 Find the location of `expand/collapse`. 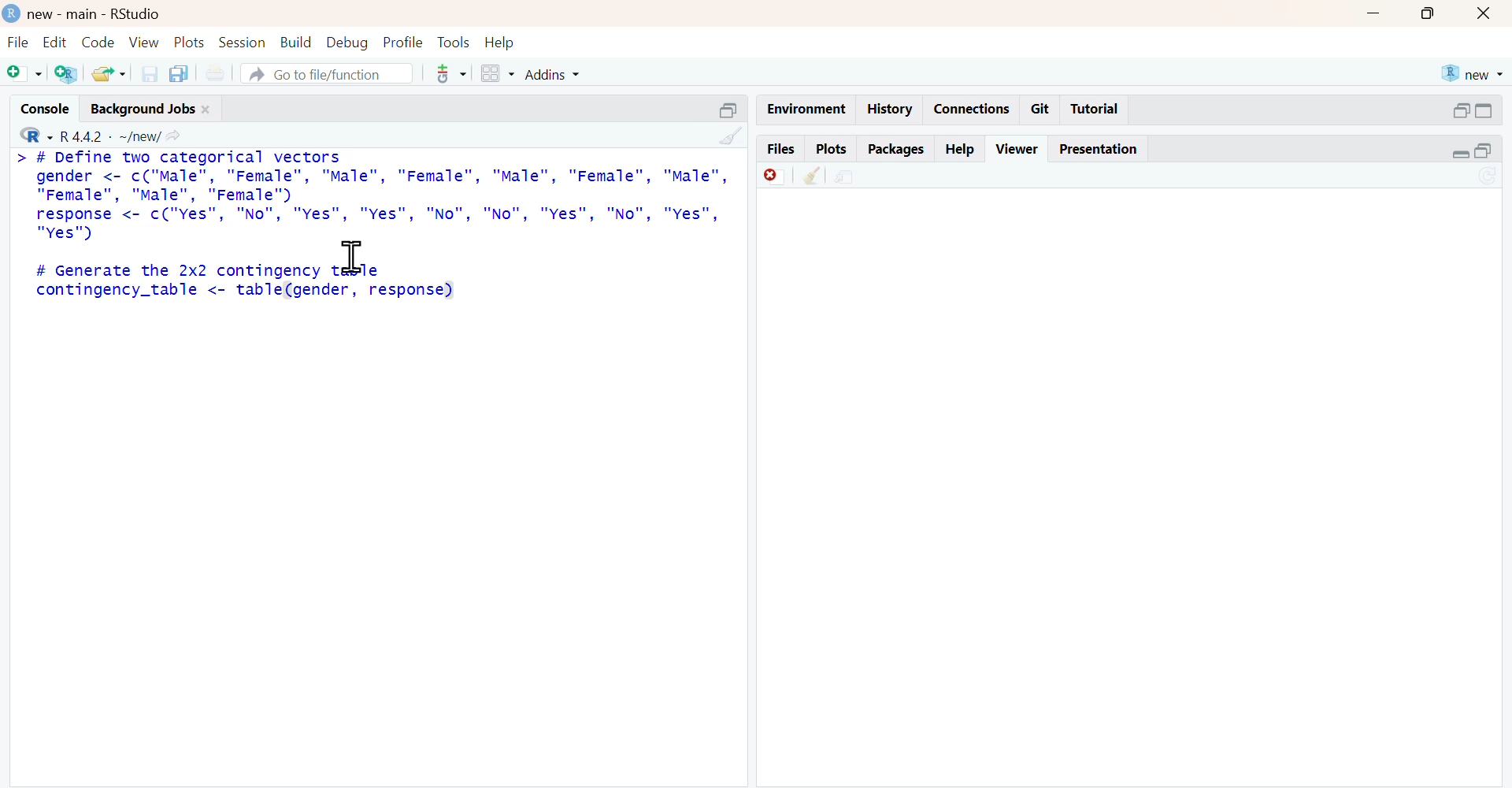

expand/collapse is located at coordinates (1485, 111).